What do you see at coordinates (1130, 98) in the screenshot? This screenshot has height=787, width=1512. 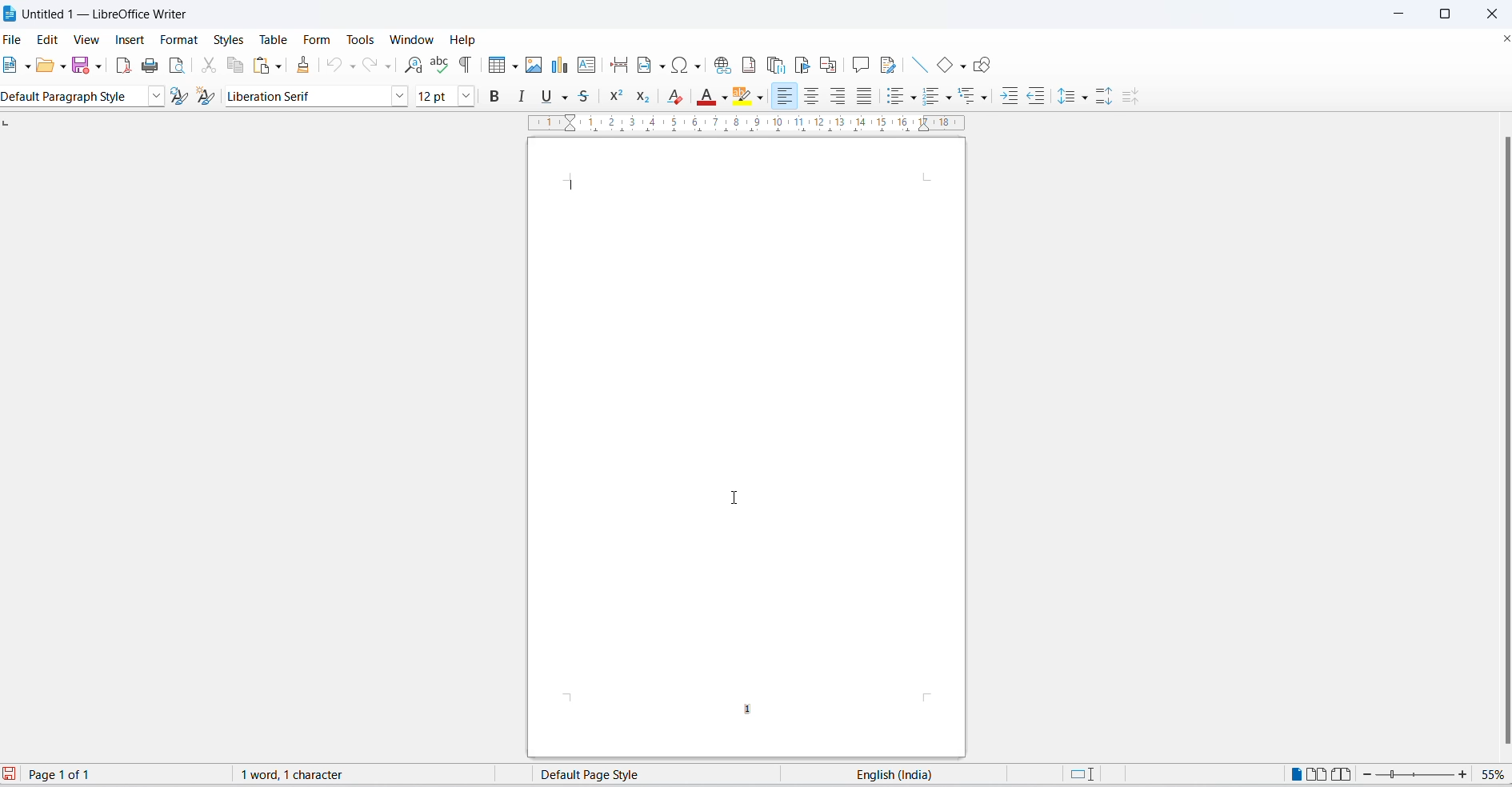 I see `decrease paragraph spacing` at bounding box center [1130, 98].